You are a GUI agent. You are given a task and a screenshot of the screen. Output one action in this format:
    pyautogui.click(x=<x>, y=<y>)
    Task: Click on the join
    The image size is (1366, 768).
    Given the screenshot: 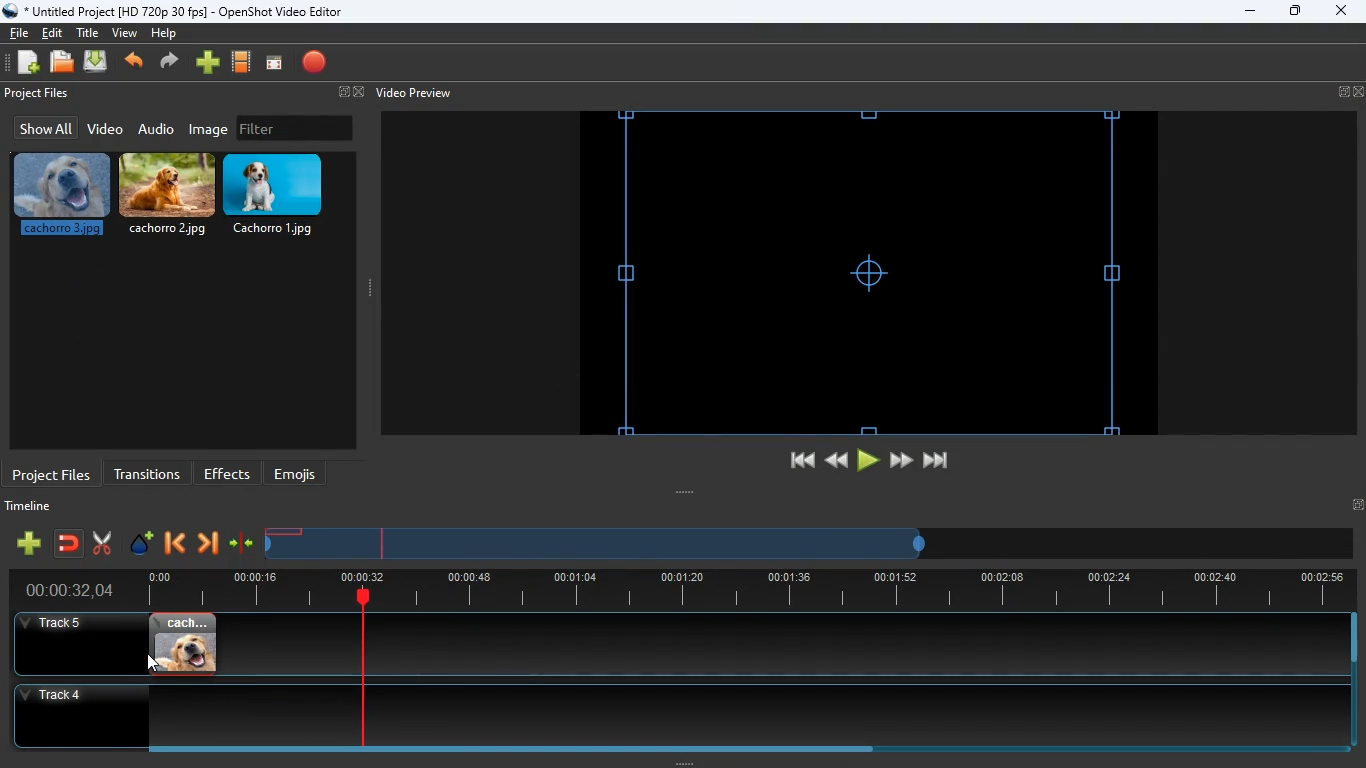 What is the action you would take?
    pyautogui.click(x=70, y=545)
    